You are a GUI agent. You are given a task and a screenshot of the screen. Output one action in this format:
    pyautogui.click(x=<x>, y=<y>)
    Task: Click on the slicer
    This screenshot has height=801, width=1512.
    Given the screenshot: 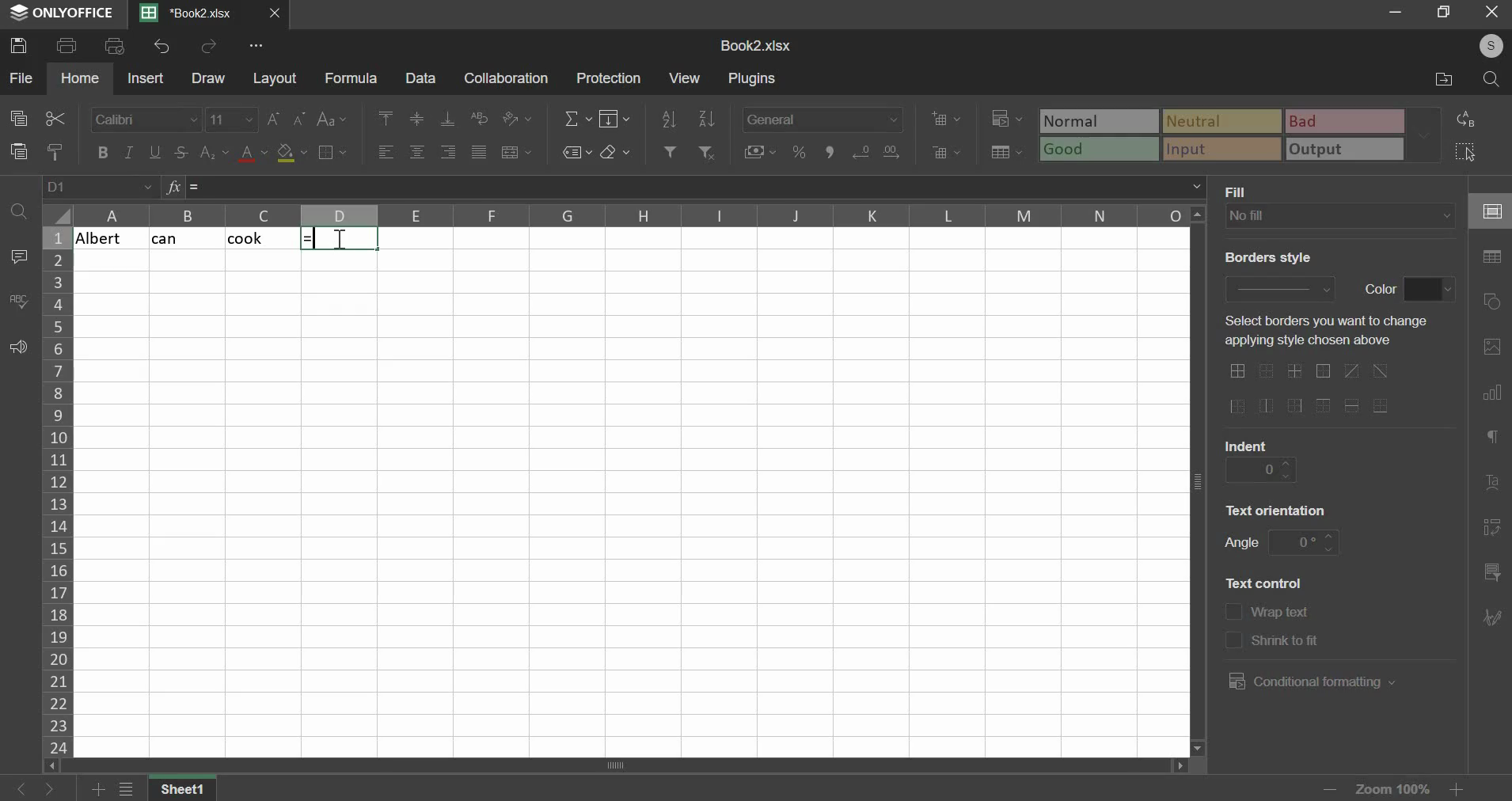 What is the action you would take?
    pyautogui.click(x=1490, y=575)
    